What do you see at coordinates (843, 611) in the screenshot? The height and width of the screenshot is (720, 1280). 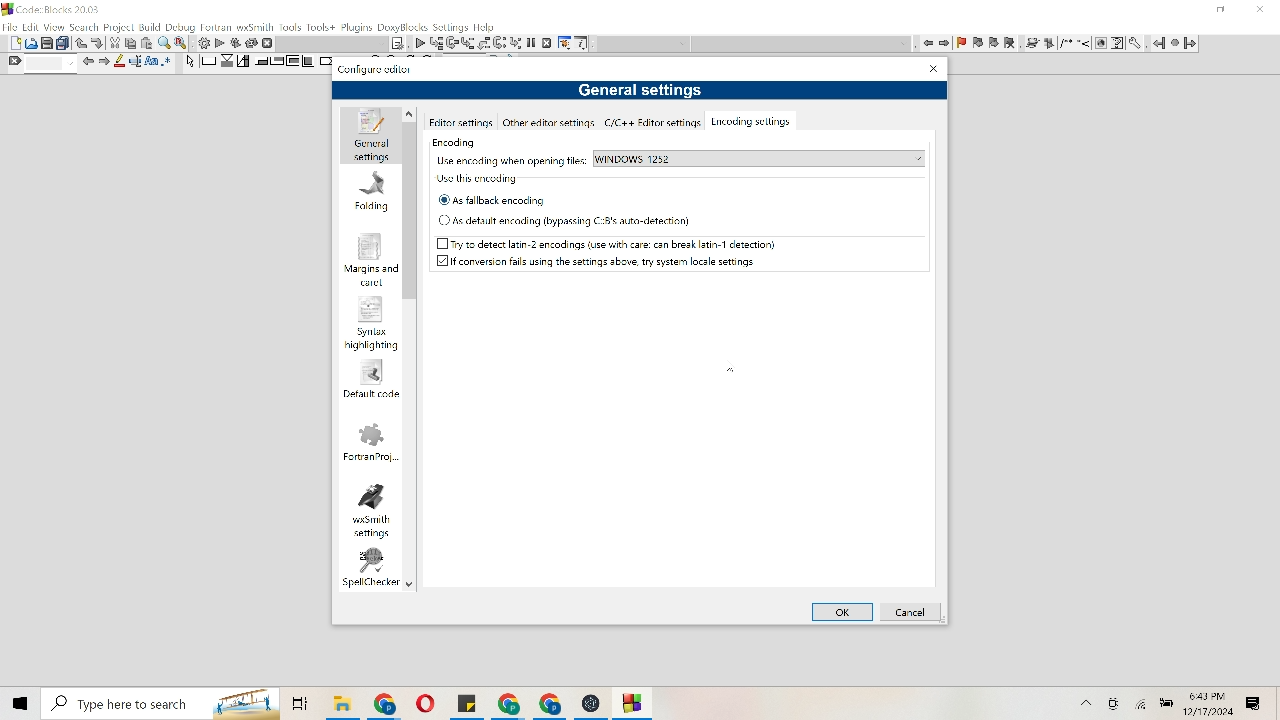 I see `Ok` at bounding box center [843, 611].